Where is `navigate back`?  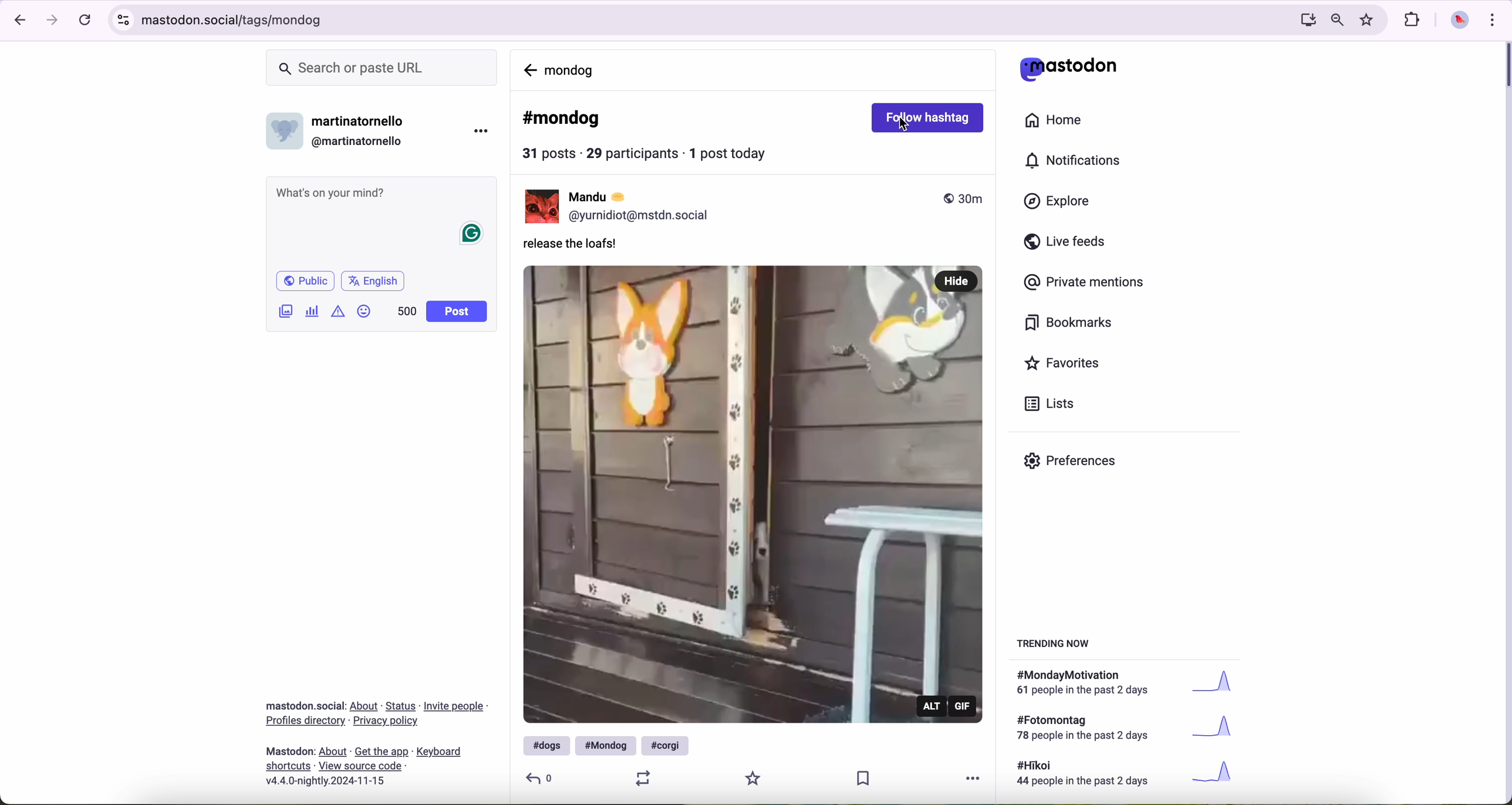 navigate back is located at coordinates (18, 21).